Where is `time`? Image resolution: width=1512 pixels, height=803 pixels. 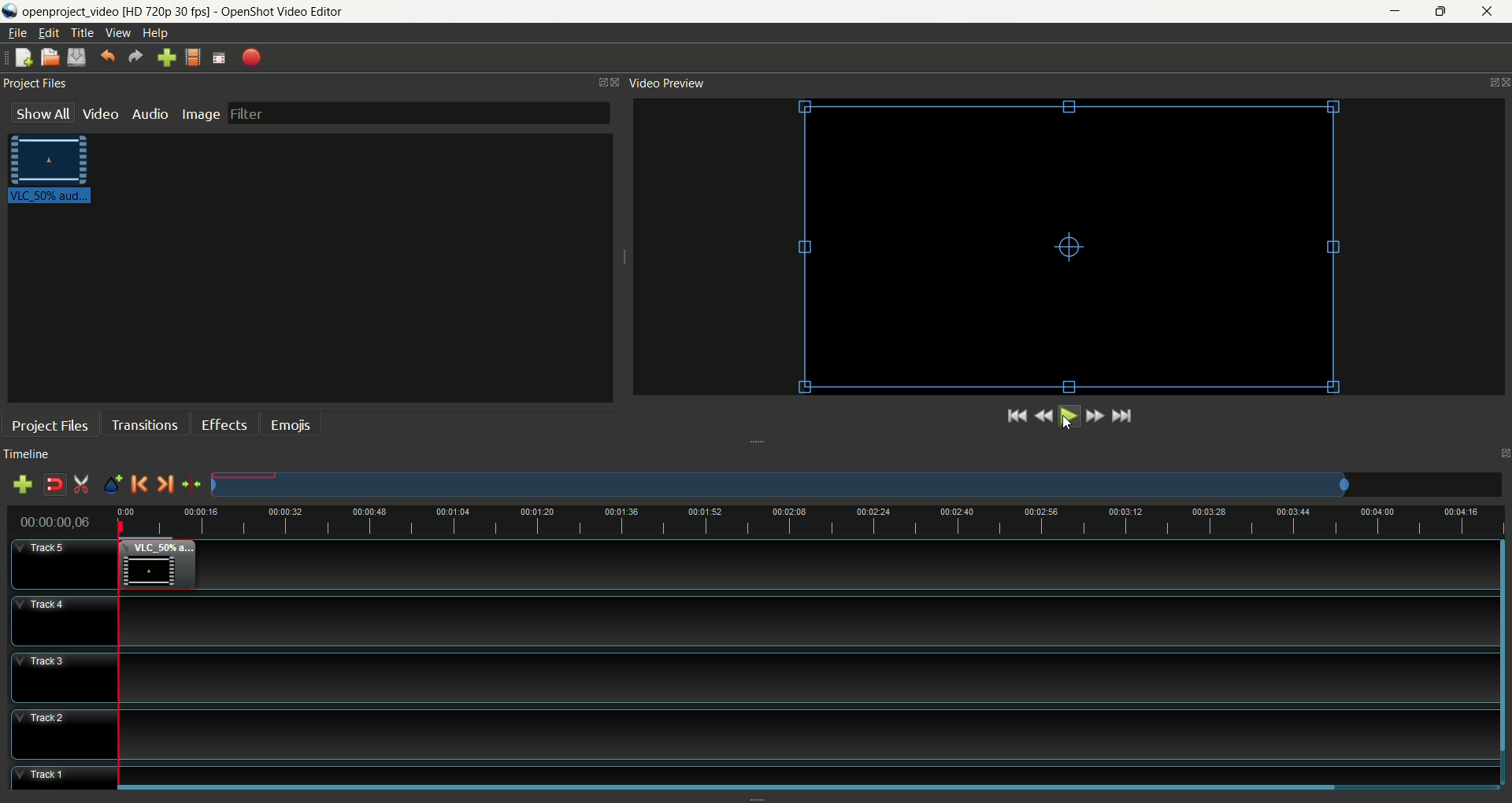 time is located at coordinates (62, 522).